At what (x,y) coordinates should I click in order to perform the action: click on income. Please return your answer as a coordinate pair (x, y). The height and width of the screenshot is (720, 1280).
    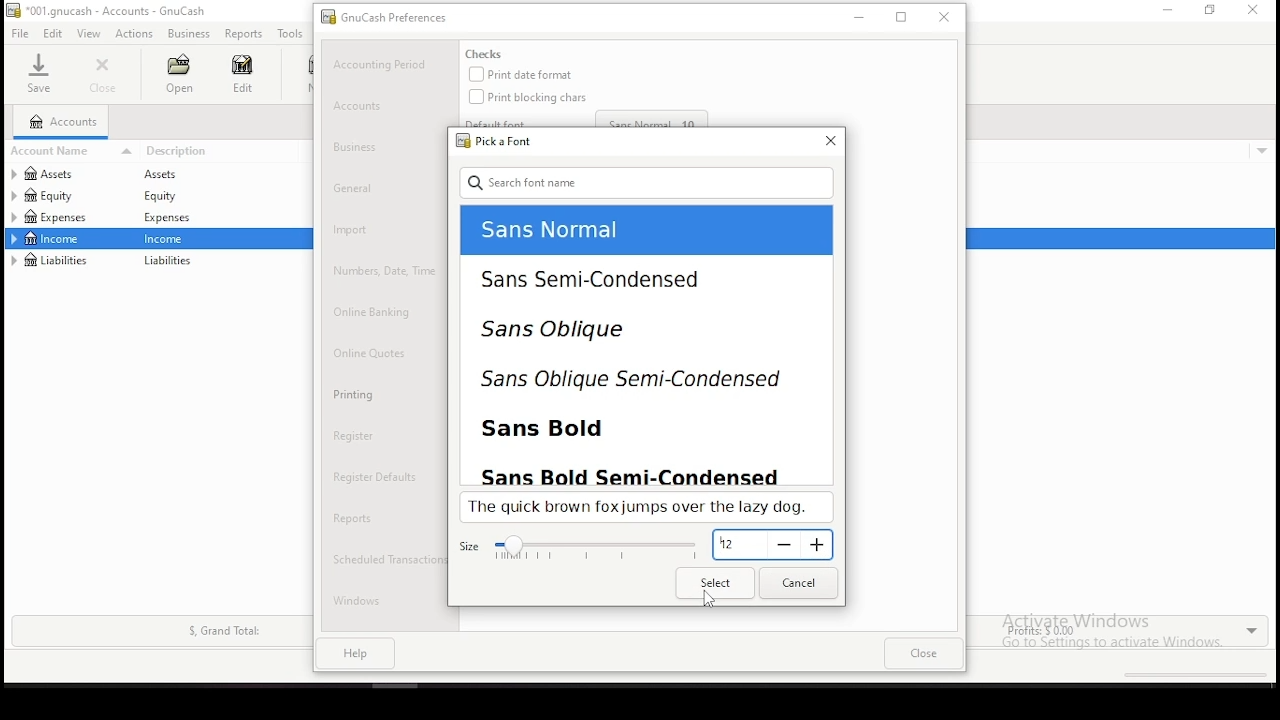
    Looking at the image, I should click on (168, 239).